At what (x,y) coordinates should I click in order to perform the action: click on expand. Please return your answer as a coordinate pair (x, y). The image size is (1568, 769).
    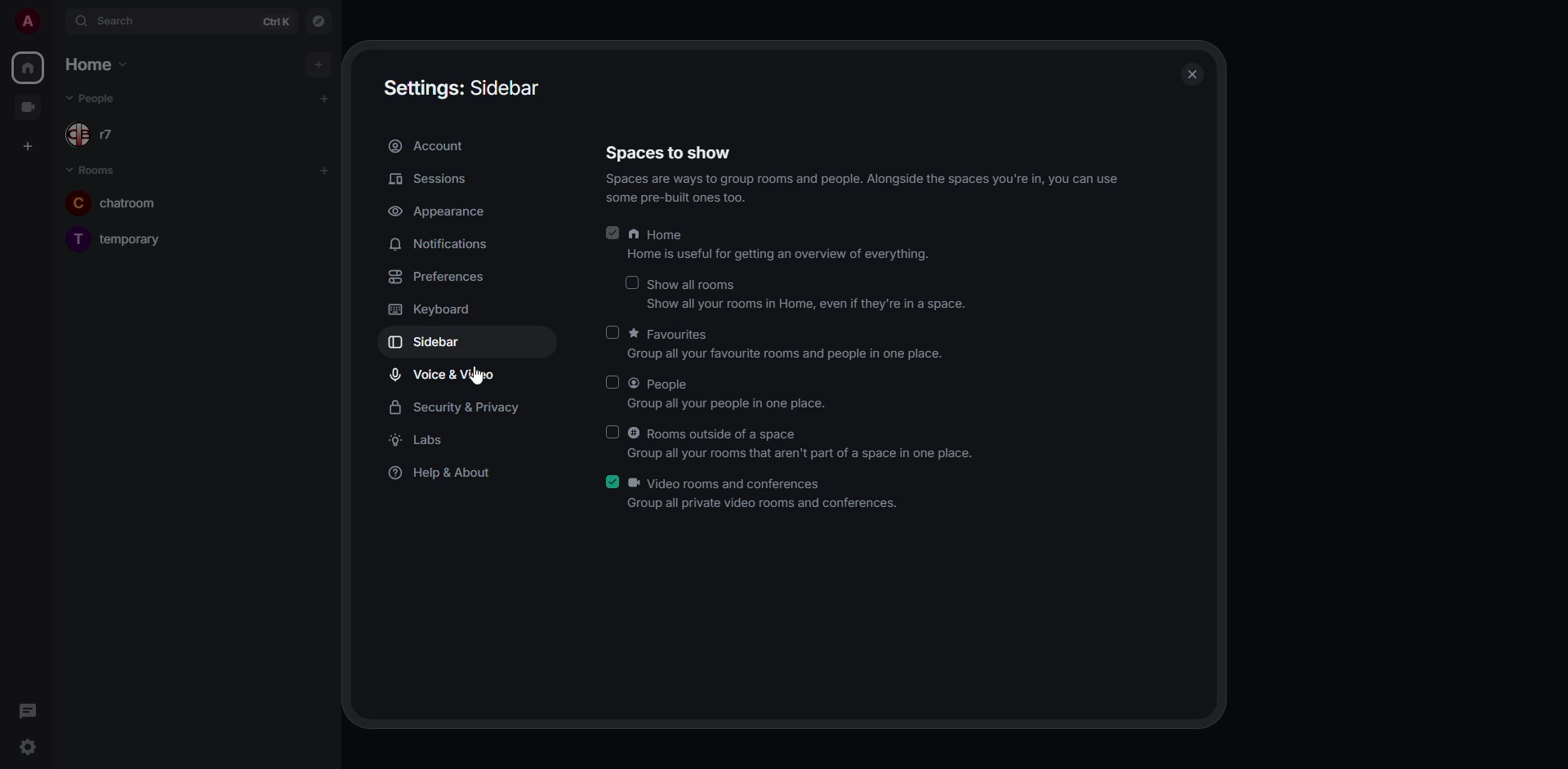
    Looking at the image, I should click on (56, 23).